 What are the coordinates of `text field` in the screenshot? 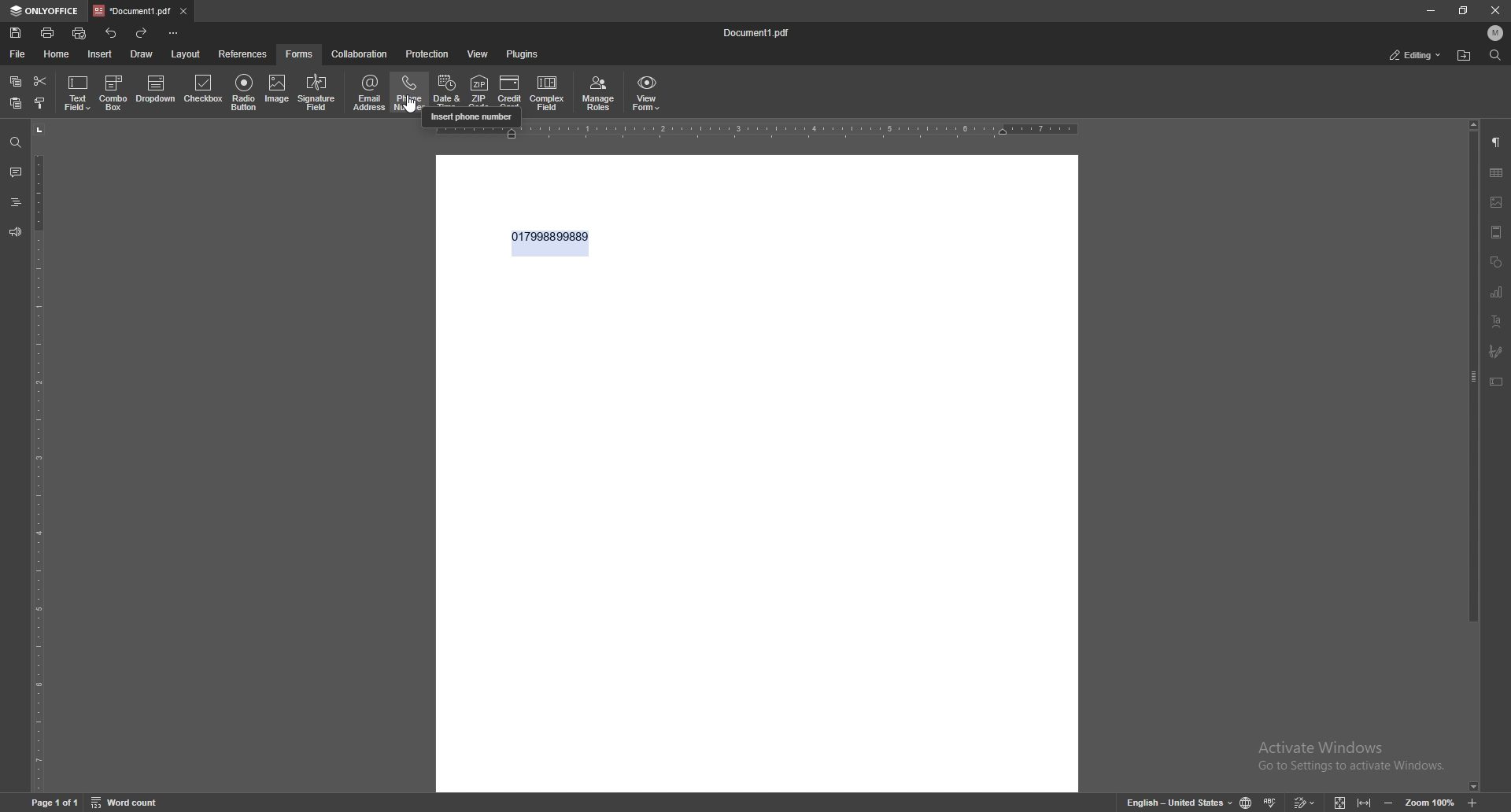 It's located at (78, 94).